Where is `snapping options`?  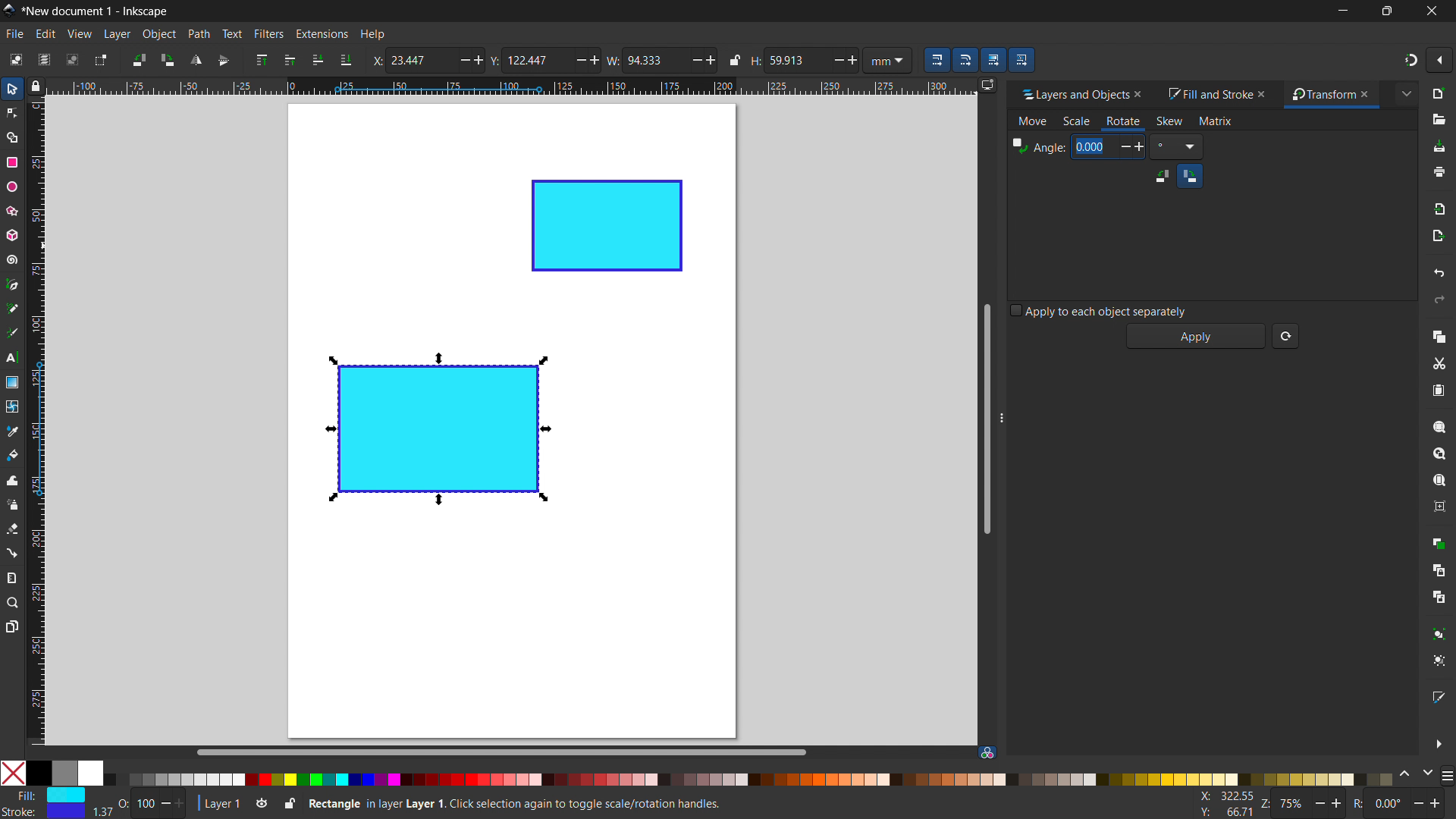 snapping options is located at coordinates (1439, 60).